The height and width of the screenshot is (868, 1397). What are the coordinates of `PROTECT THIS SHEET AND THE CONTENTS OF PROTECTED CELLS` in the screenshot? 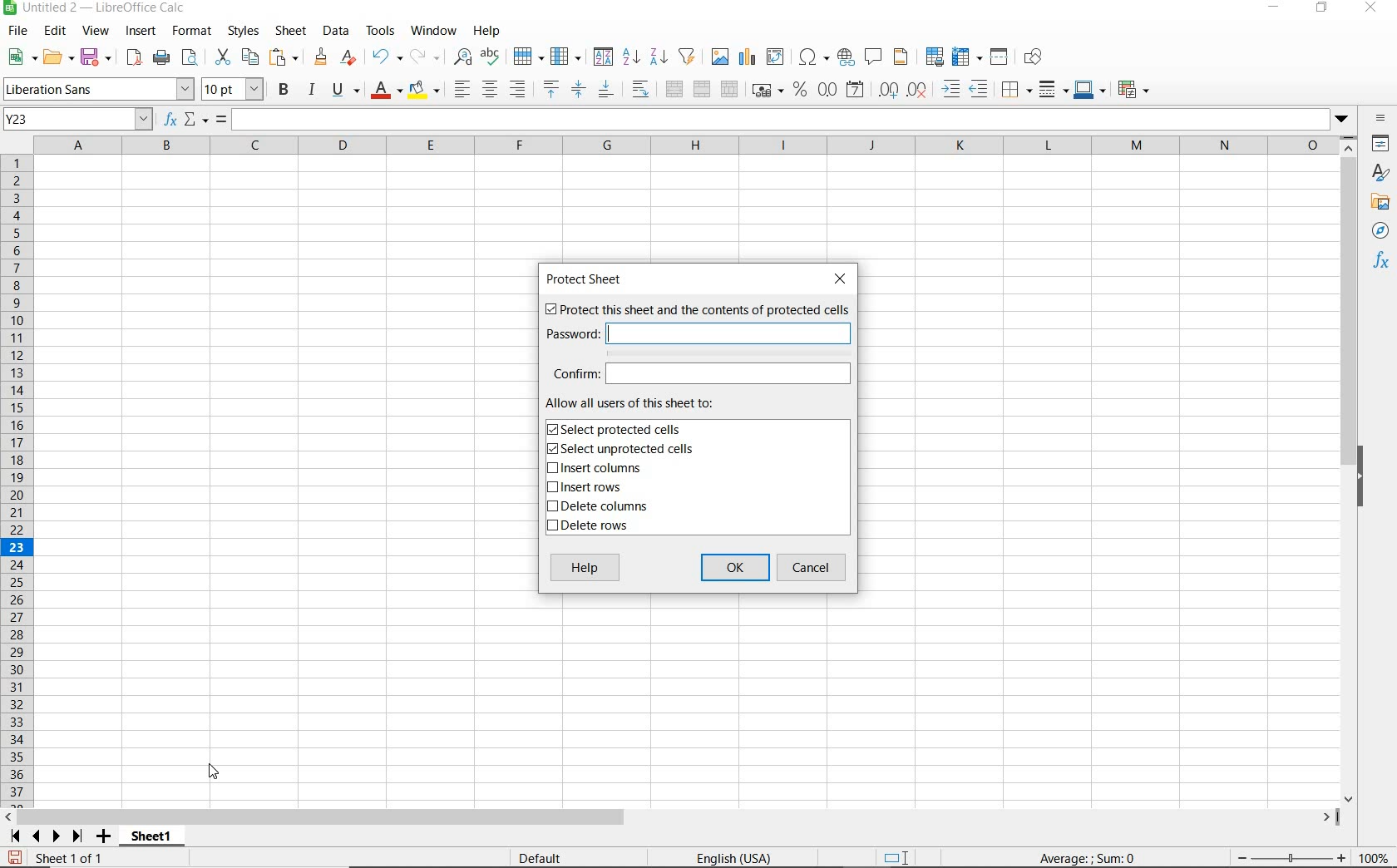 It's located at (696, 311).